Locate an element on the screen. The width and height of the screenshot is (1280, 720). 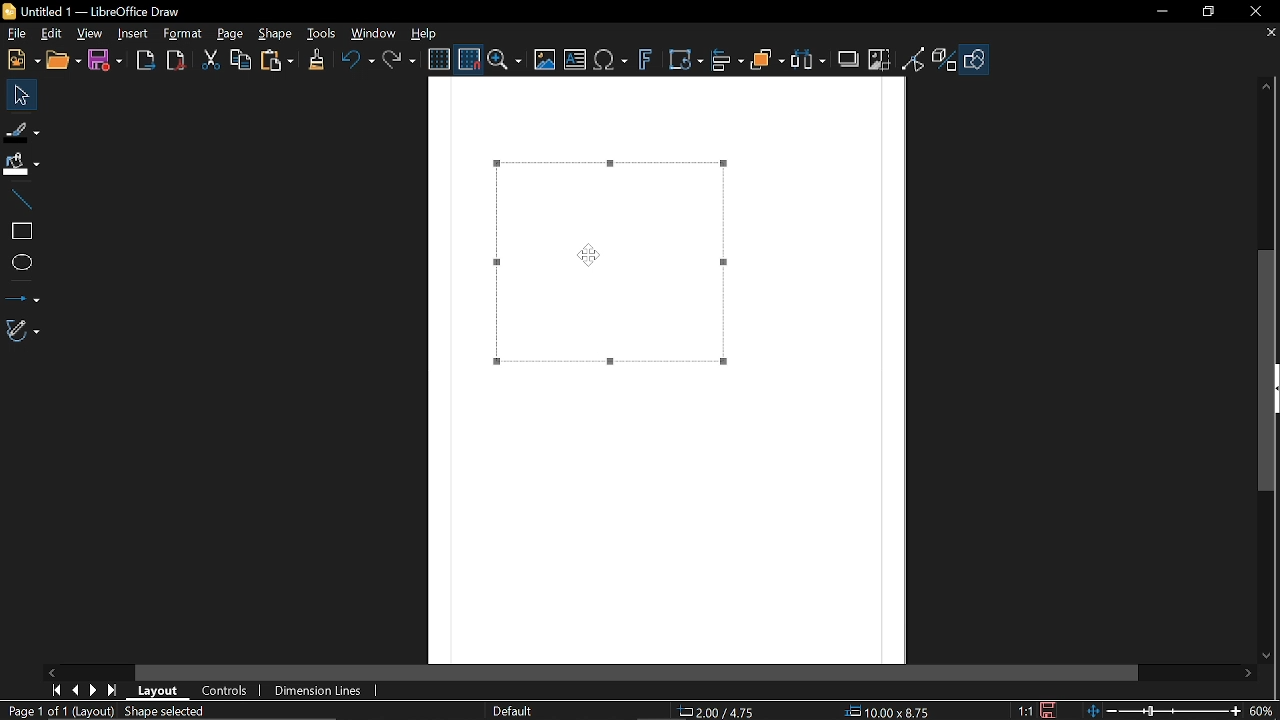
Export to pdf is located at coordinates (176, 60).